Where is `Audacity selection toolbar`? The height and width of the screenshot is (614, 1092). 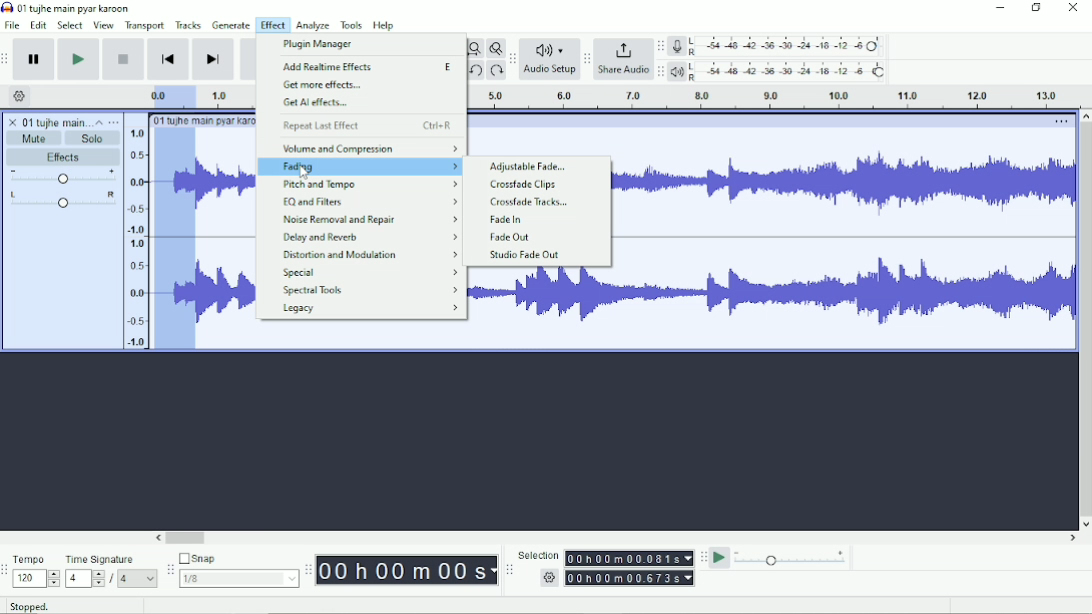 Audacity selection toolbar is located at coordinates (507, 570).